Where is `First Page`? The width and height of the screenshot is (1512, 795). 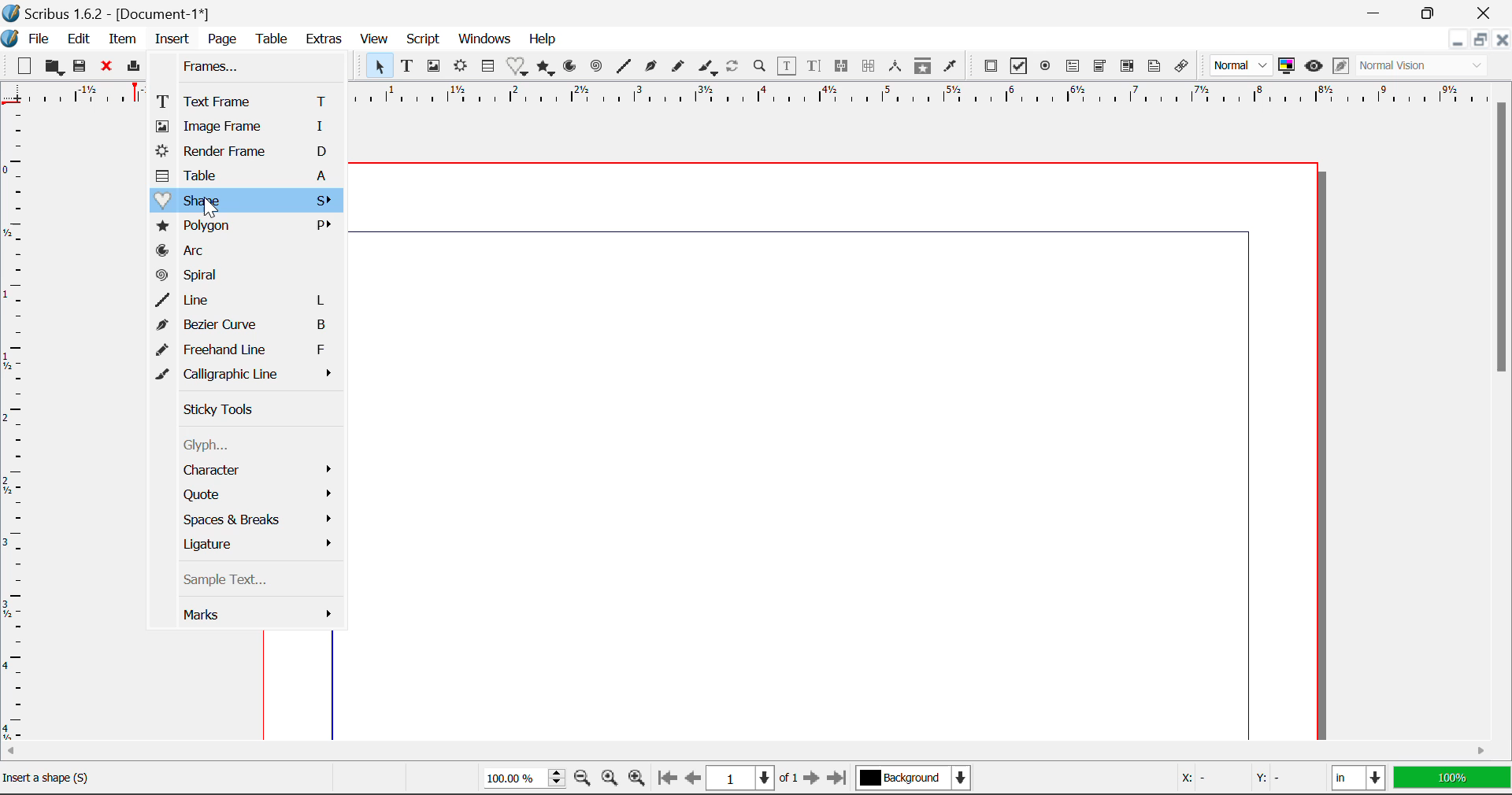
First Page is located at coordinates (667, 778).